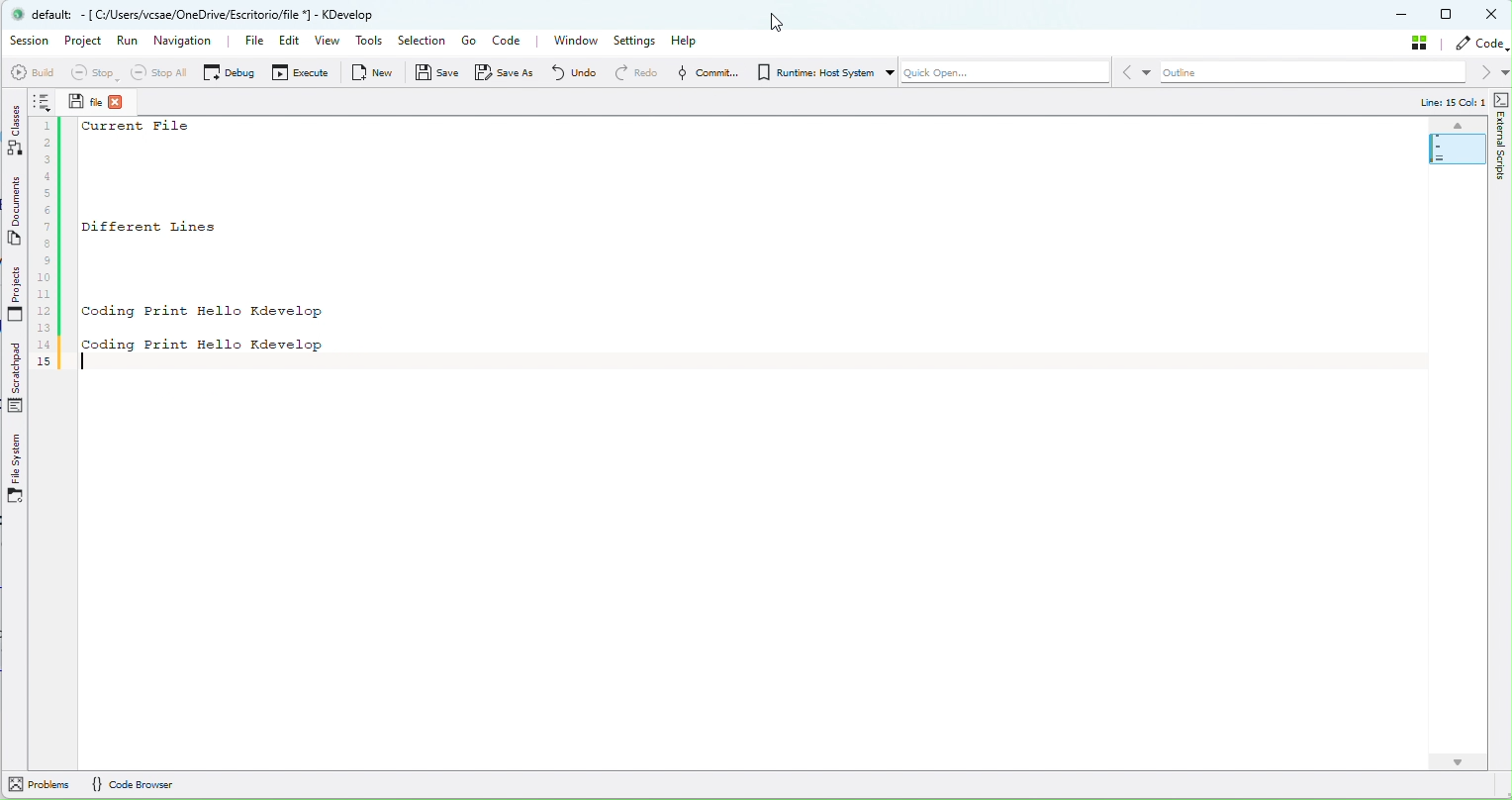  Describe the element at coordinates (1423, 42) in the screenshot. I see `stash` at that location.